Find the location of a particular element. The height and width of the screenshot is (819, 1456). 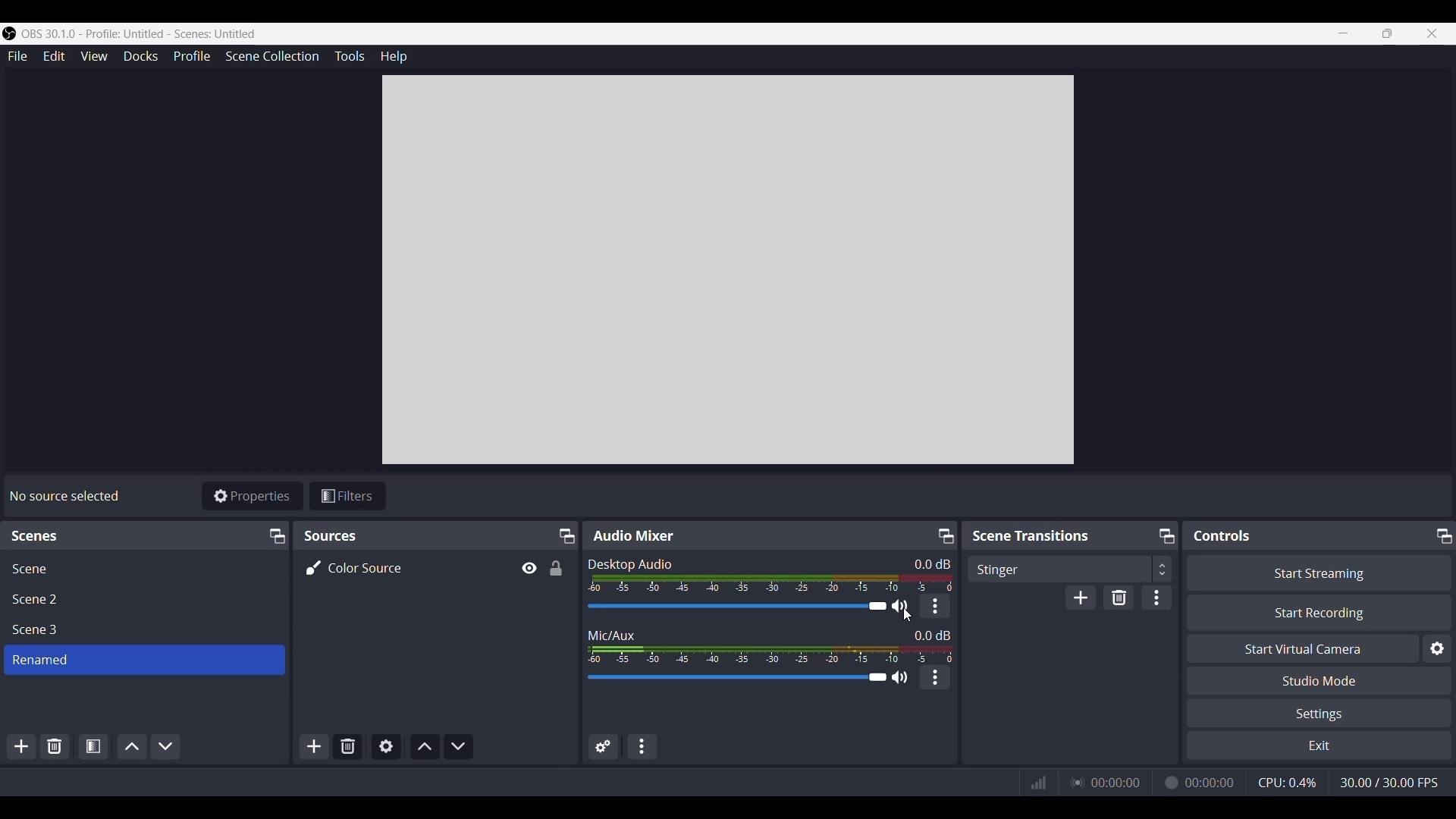

Profile is located at coordinates (191, 57).